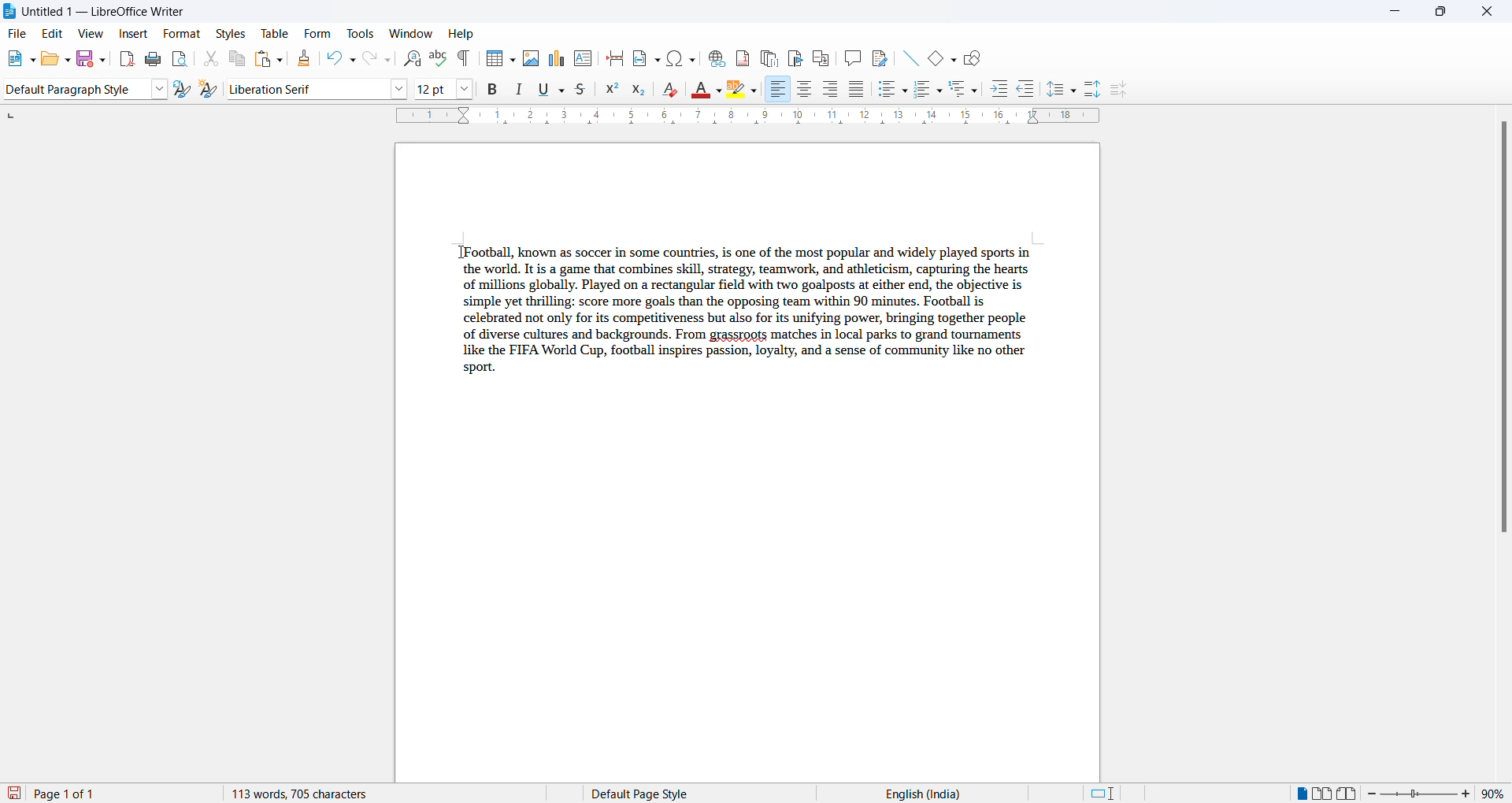  I want to click on insert, so click(134, 35).